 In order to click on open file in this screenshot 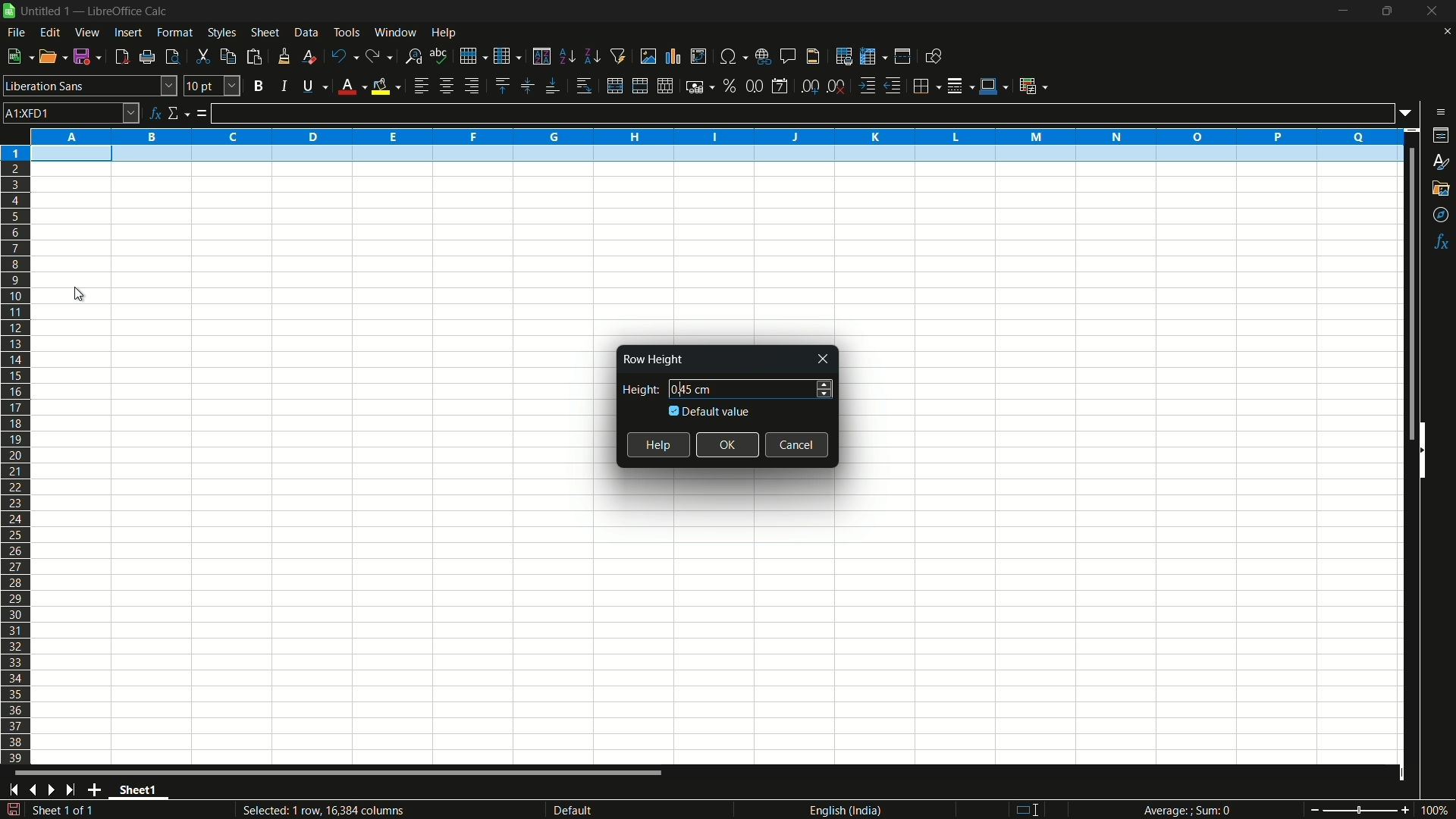, I will do `click(54, 57)`.